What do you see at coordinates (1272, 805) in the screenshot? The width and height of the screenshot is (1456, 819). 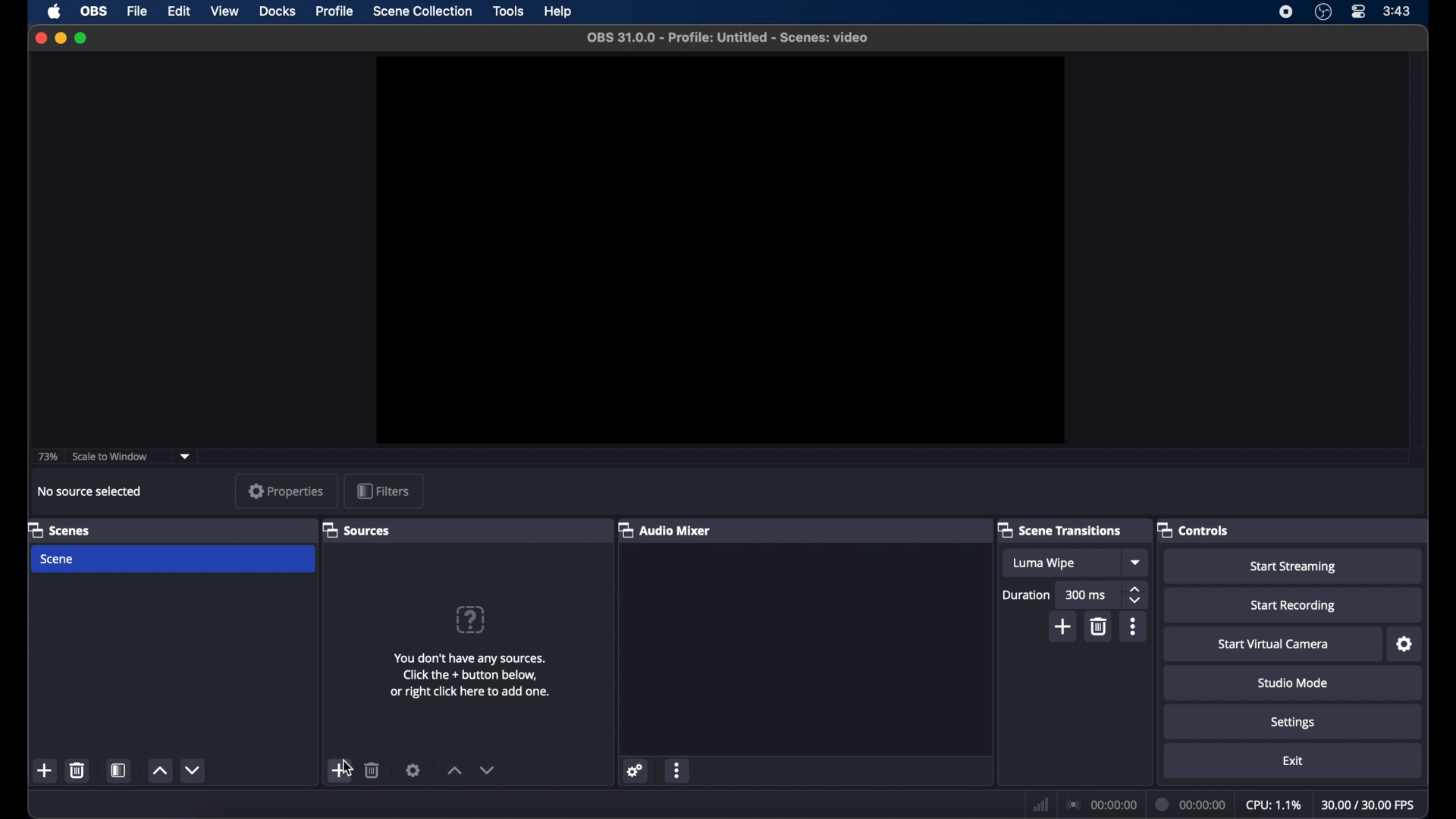 I see `CPU: 1.1%` at bounding box center [1272, 805].